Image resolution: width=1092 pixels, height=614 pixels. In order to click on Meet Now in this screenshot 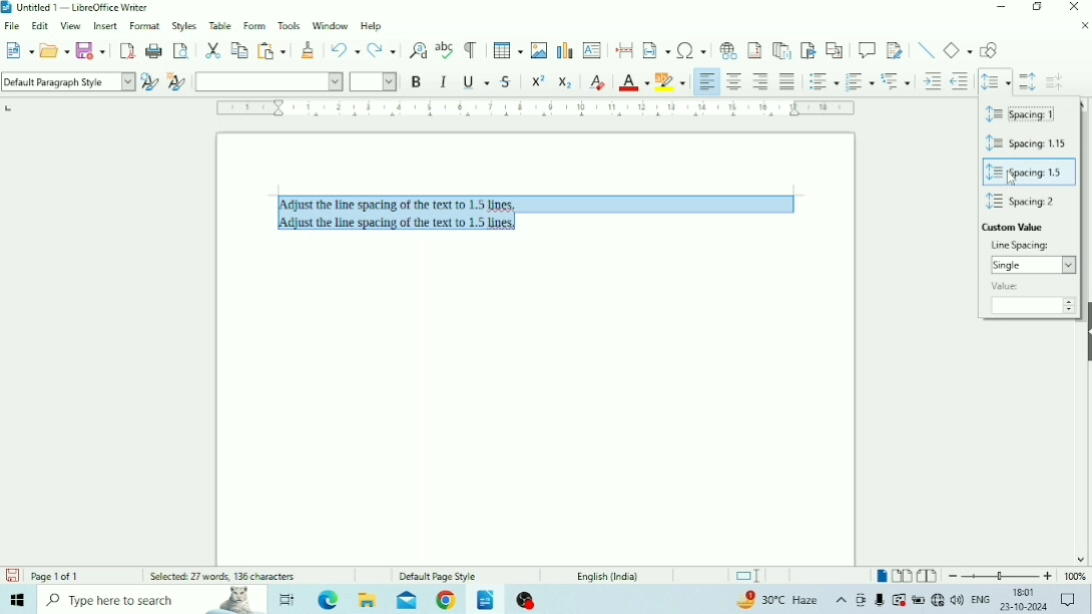, I will do `click(862, 600)`.